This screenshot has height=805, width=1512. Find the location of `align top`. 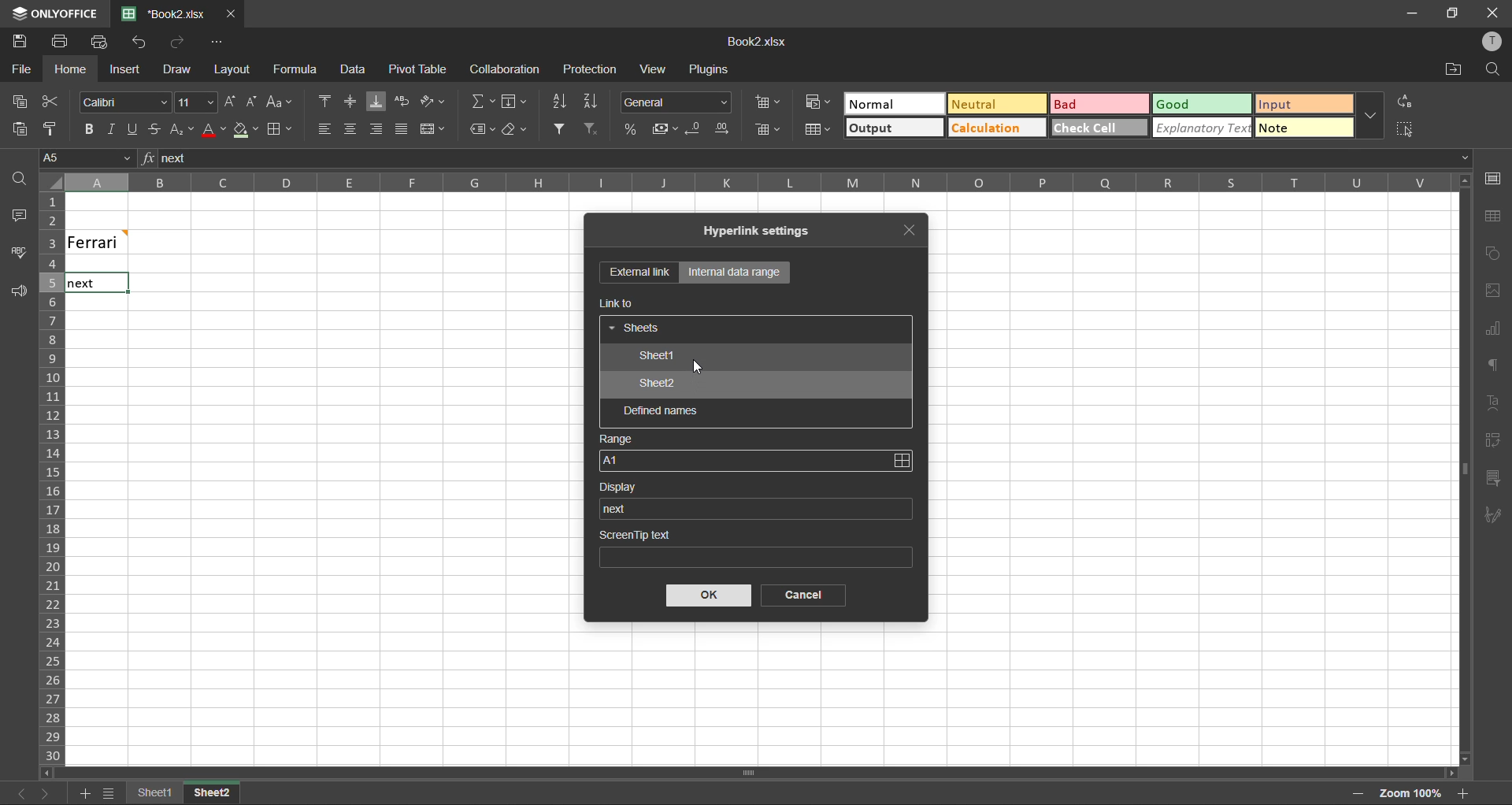

align top is located at coordinates (326, 102).